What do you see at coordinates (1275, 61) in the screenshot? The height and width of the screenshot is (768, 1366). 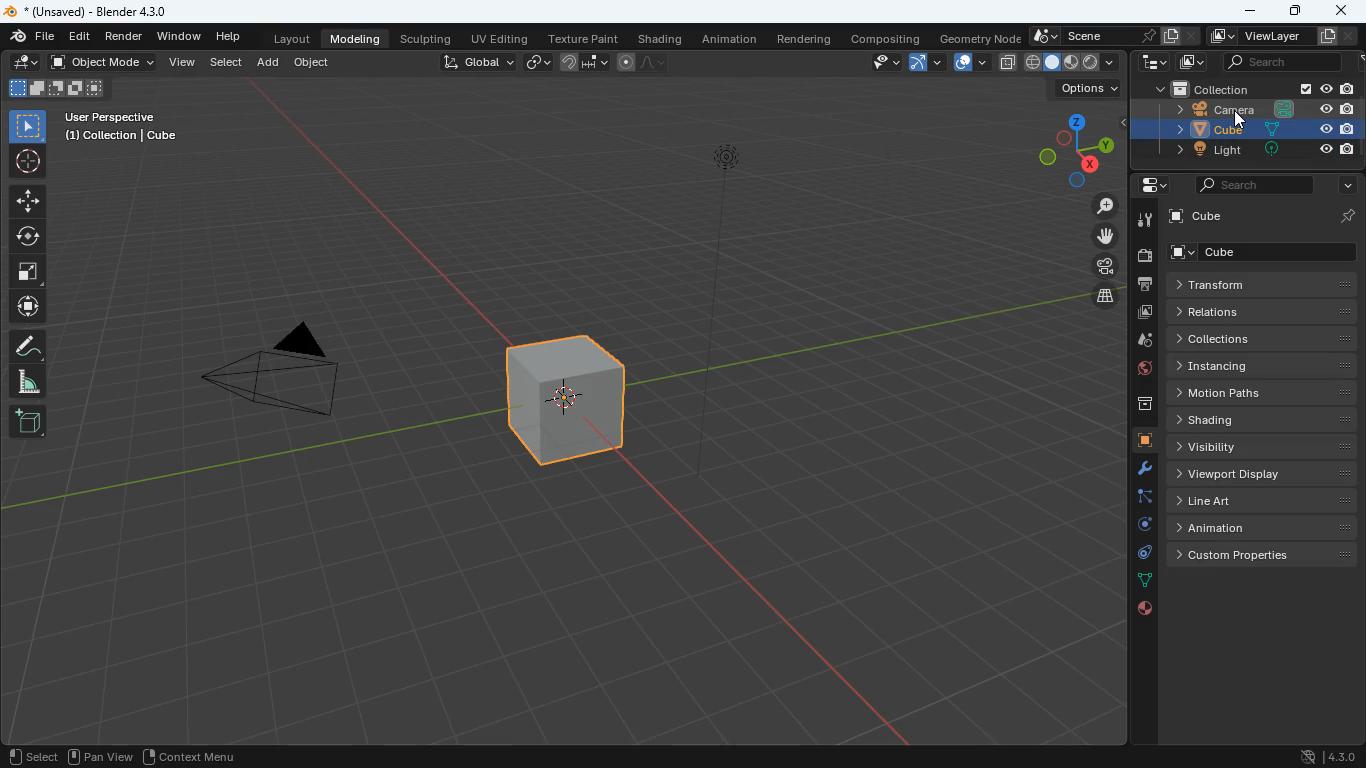 I see `search` at bounding box center [1275, 61].